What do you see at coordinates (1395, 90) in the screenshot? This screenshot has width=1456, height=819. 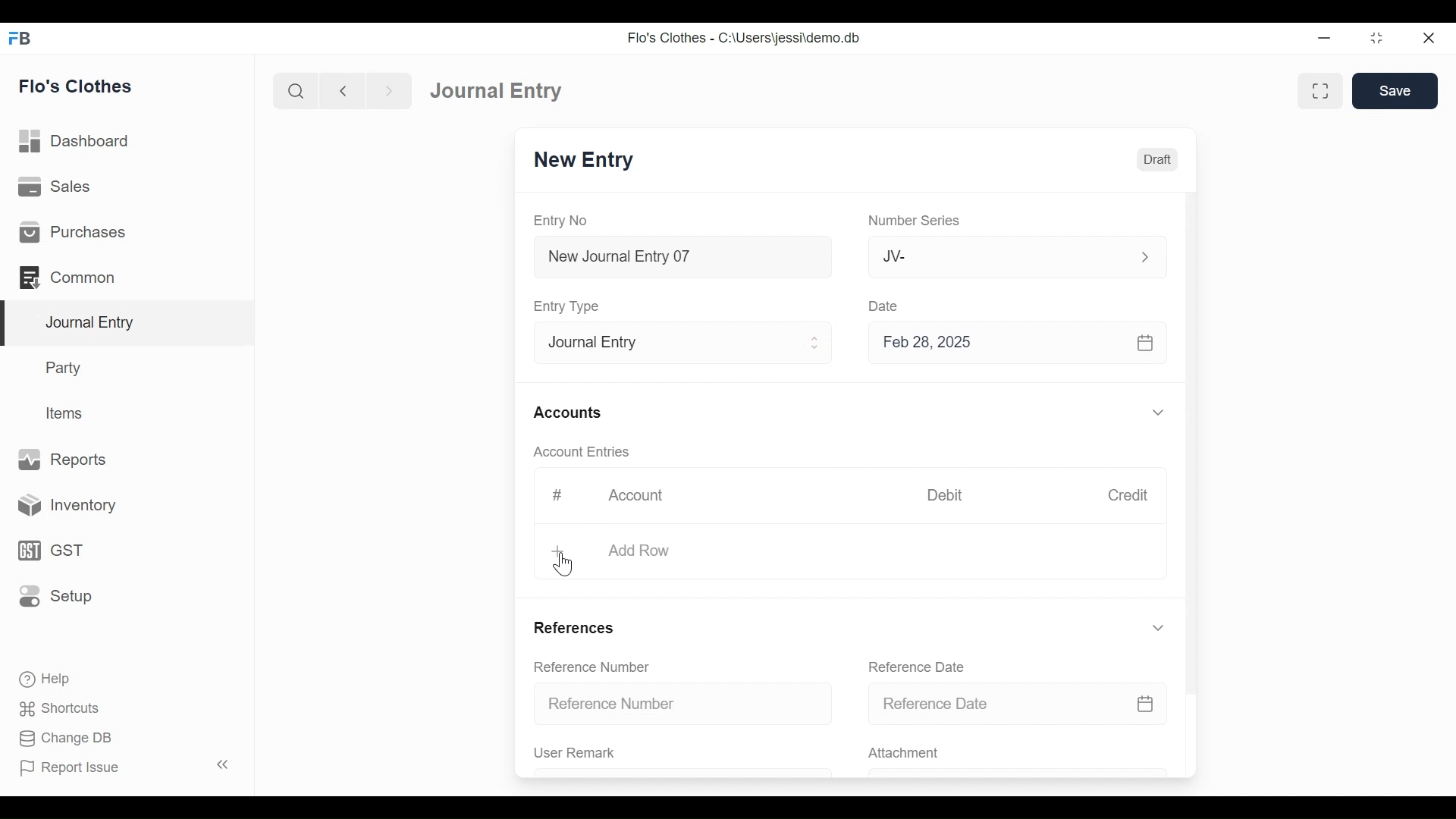 I see `Save` at bounding box center [1395, 90].